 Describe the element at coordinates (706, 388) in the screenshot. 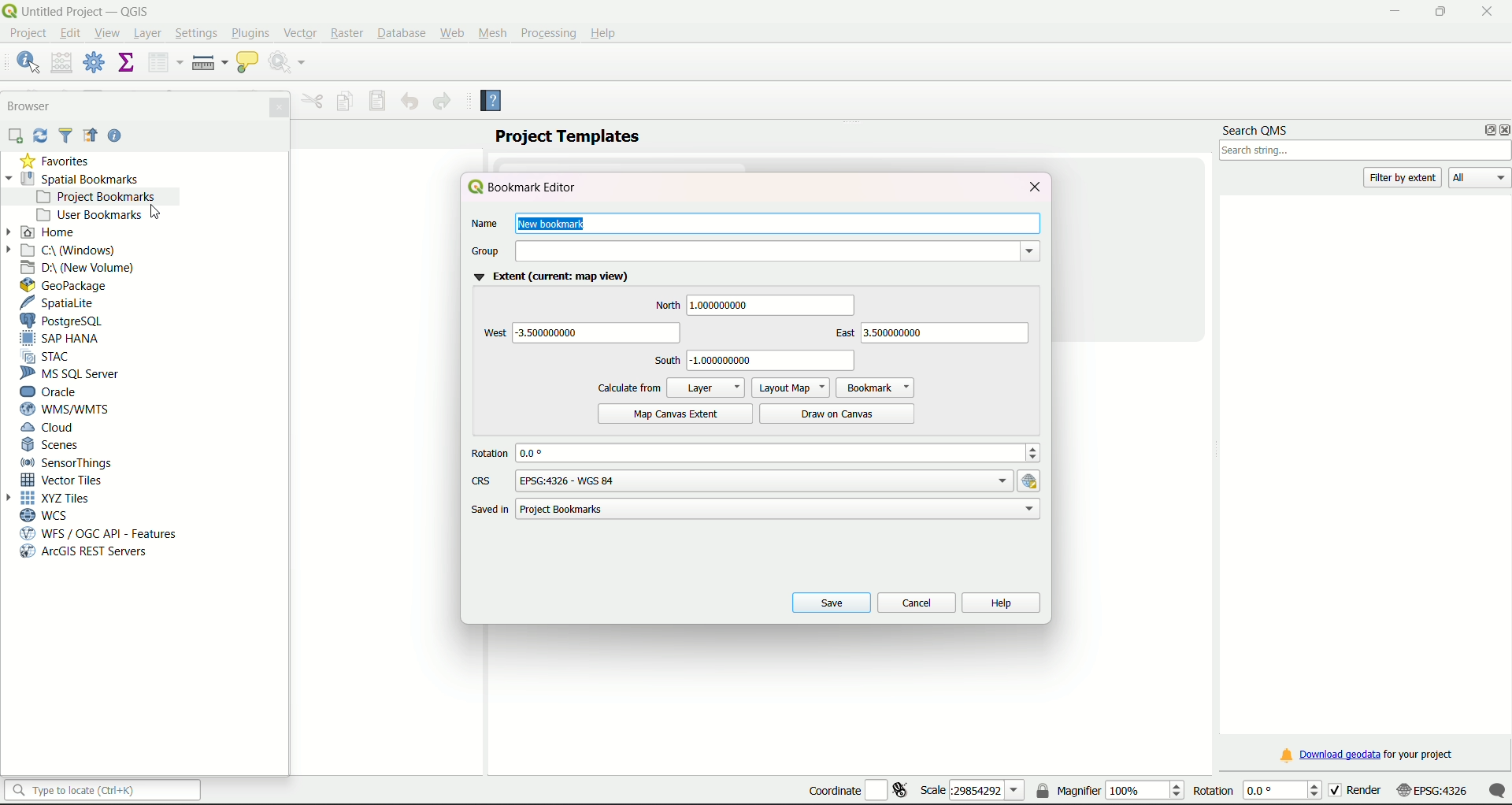

I see `Layer` at that location.